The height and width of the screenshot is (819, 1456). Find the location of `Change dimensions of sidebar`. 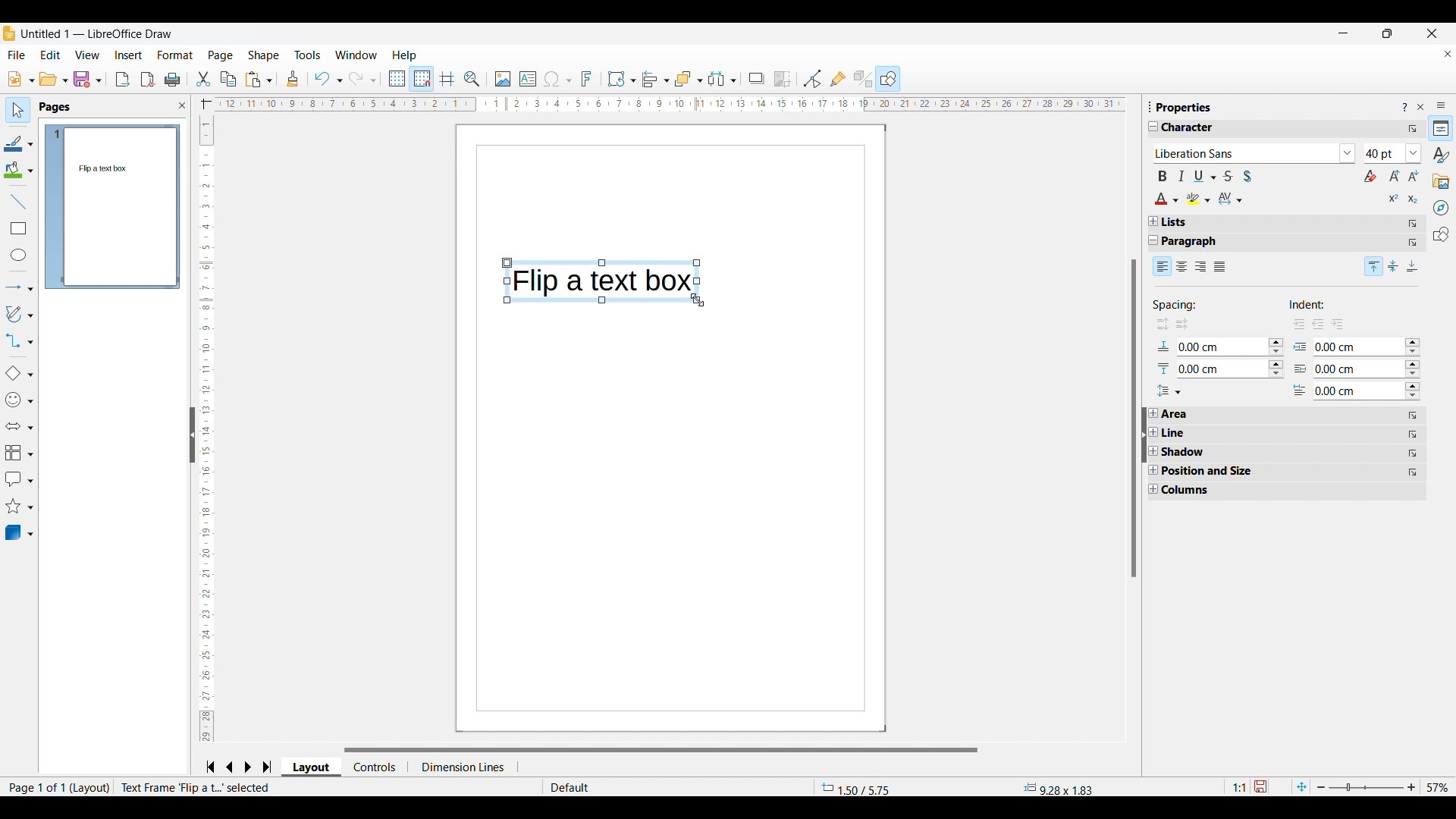

Change dimensions of sidebar is located at coordinates (1150, 106).